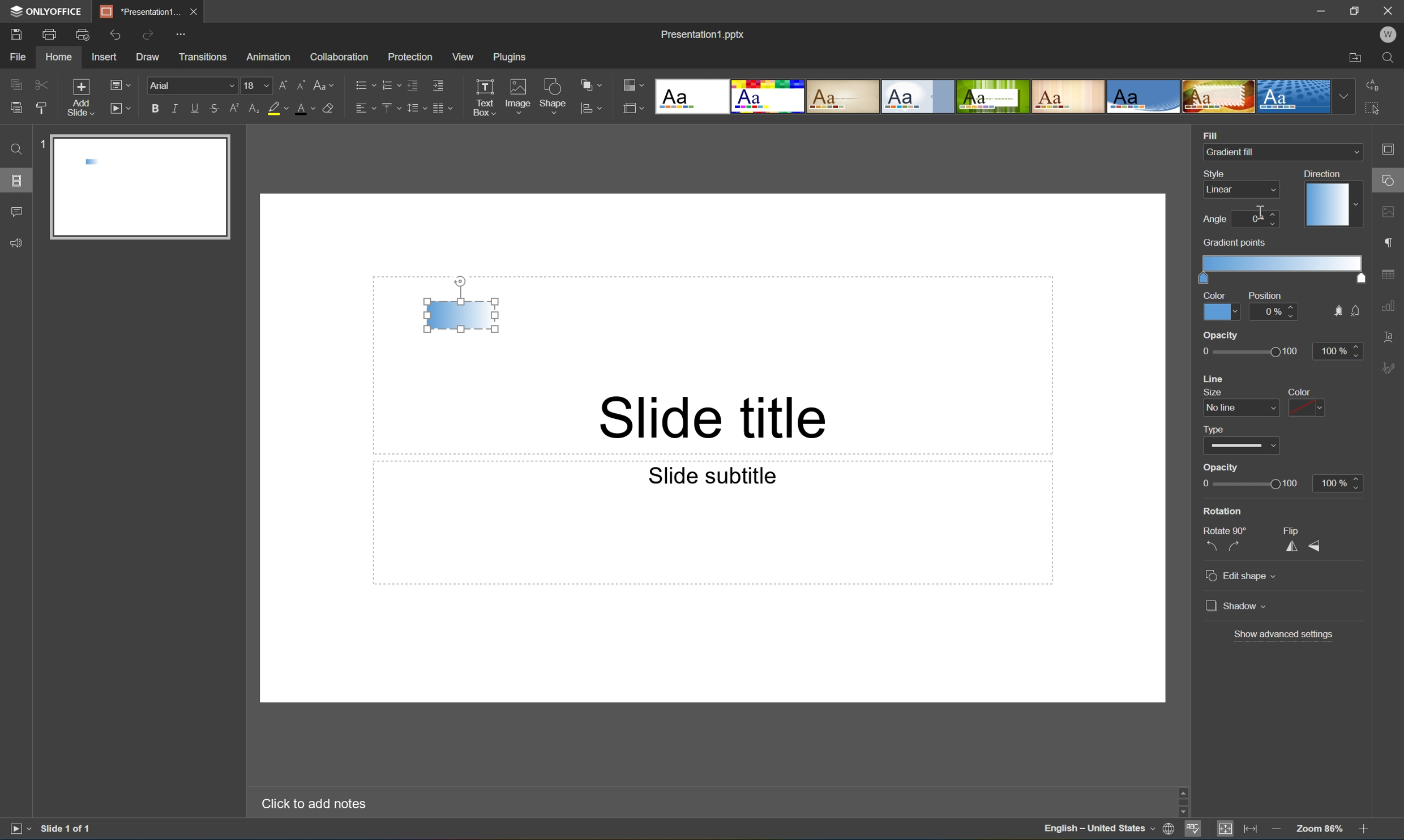 This screenshot has height=840, width=1404. What do you see at coordinates (717, 416) in the screenshot?
I see `Slide title` at bounding box center [717, 416].